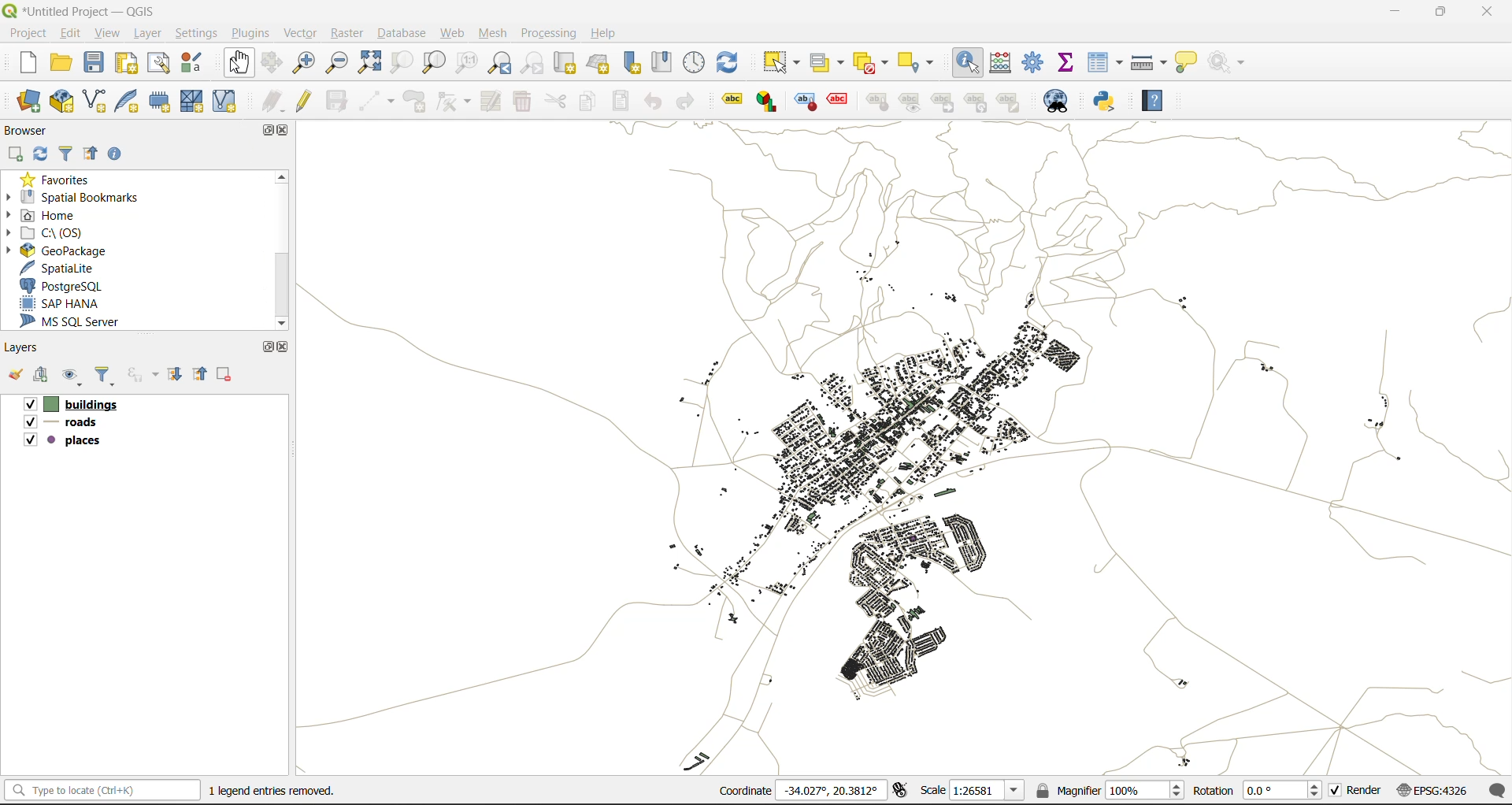 The image size is (1512, 805). What do you see at coordinates (524, 102) in the screenshot?
I see `delete` at bounding box center [524, 102].